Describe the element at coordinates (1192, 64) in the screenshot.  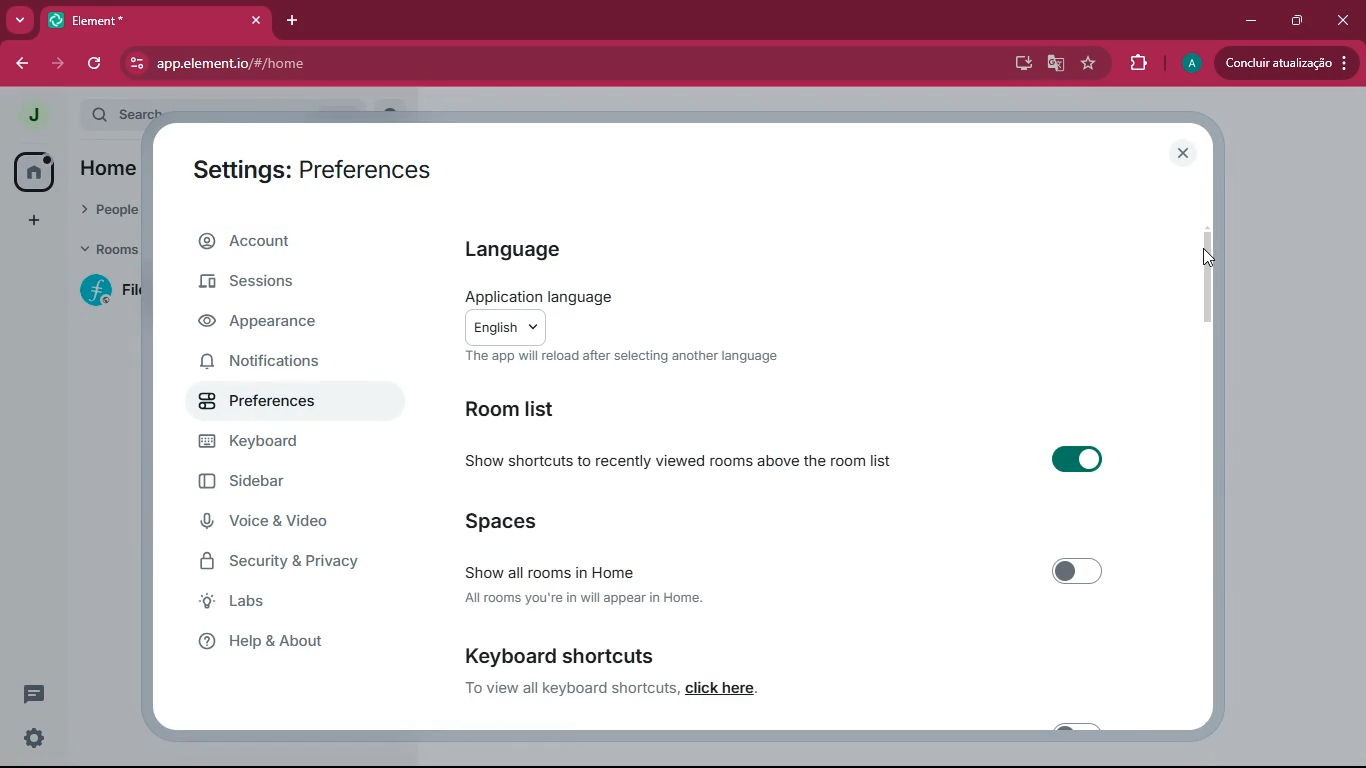
I see `a` at that location.